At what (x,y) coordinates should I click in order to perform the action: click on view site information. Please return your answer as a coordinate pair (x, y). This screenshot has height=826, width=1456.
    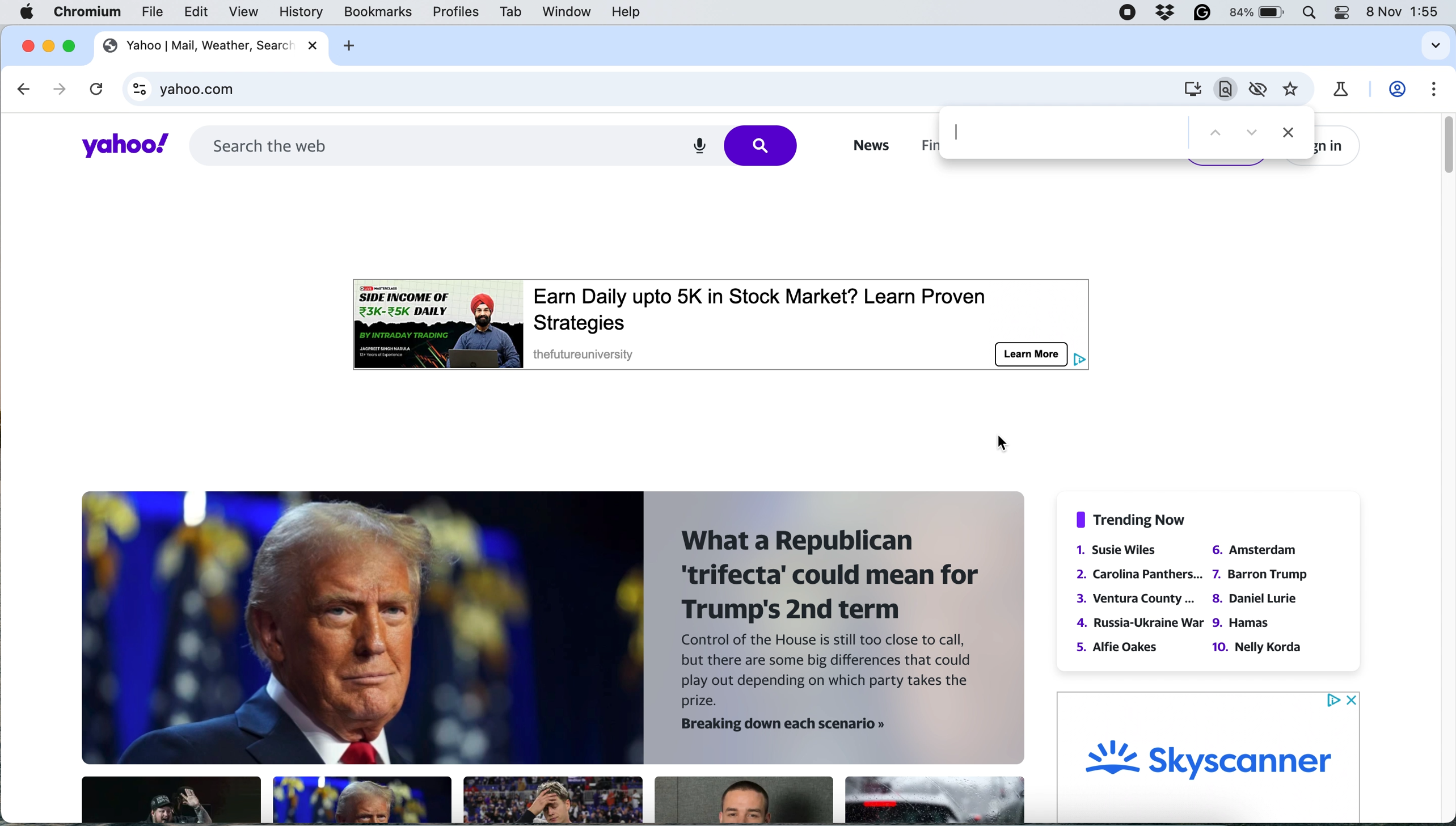
    Looking at the image, I should click on (136, 88).